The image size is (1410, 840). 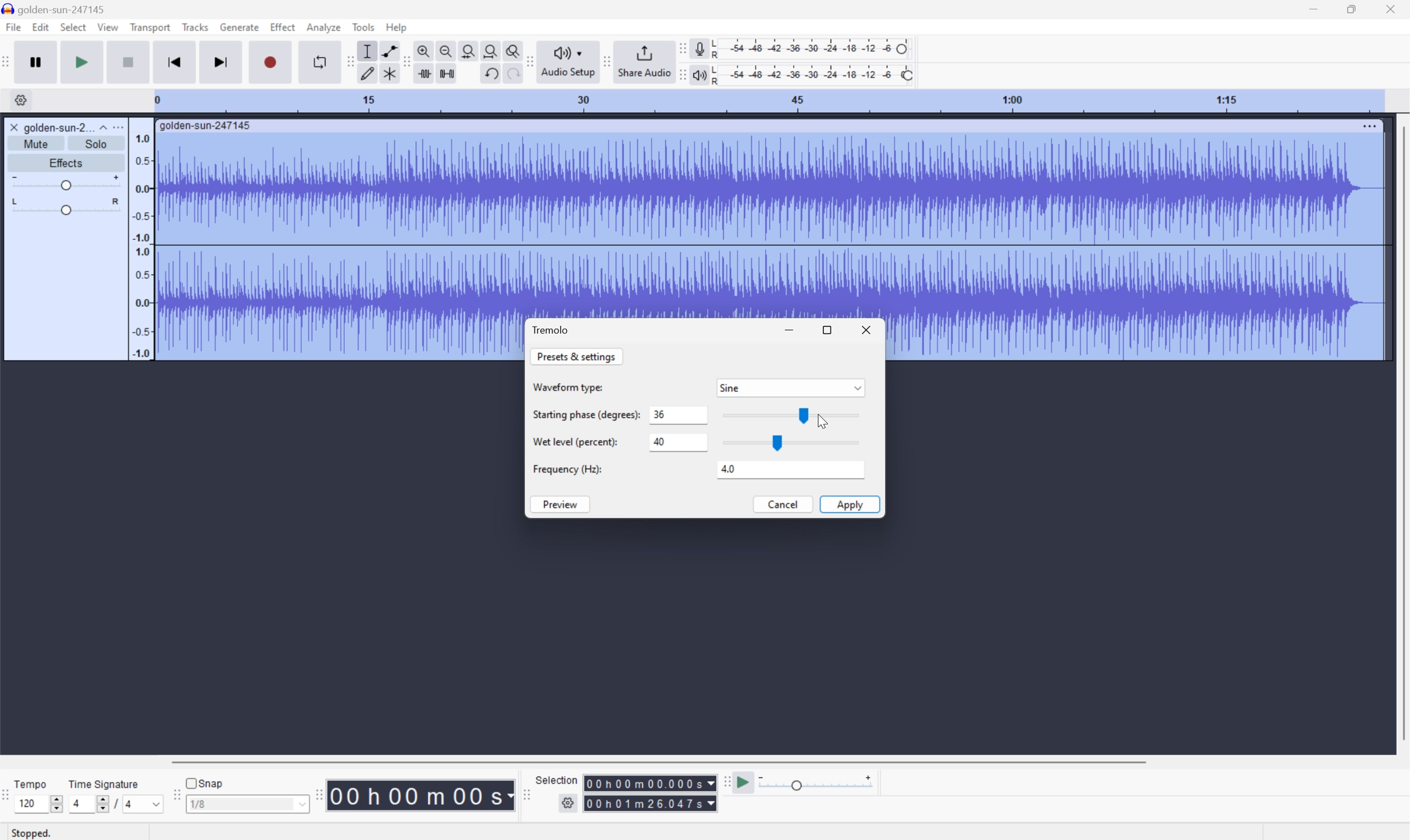 I want to click on Scroll Bar, so click(x=1401, y=432).